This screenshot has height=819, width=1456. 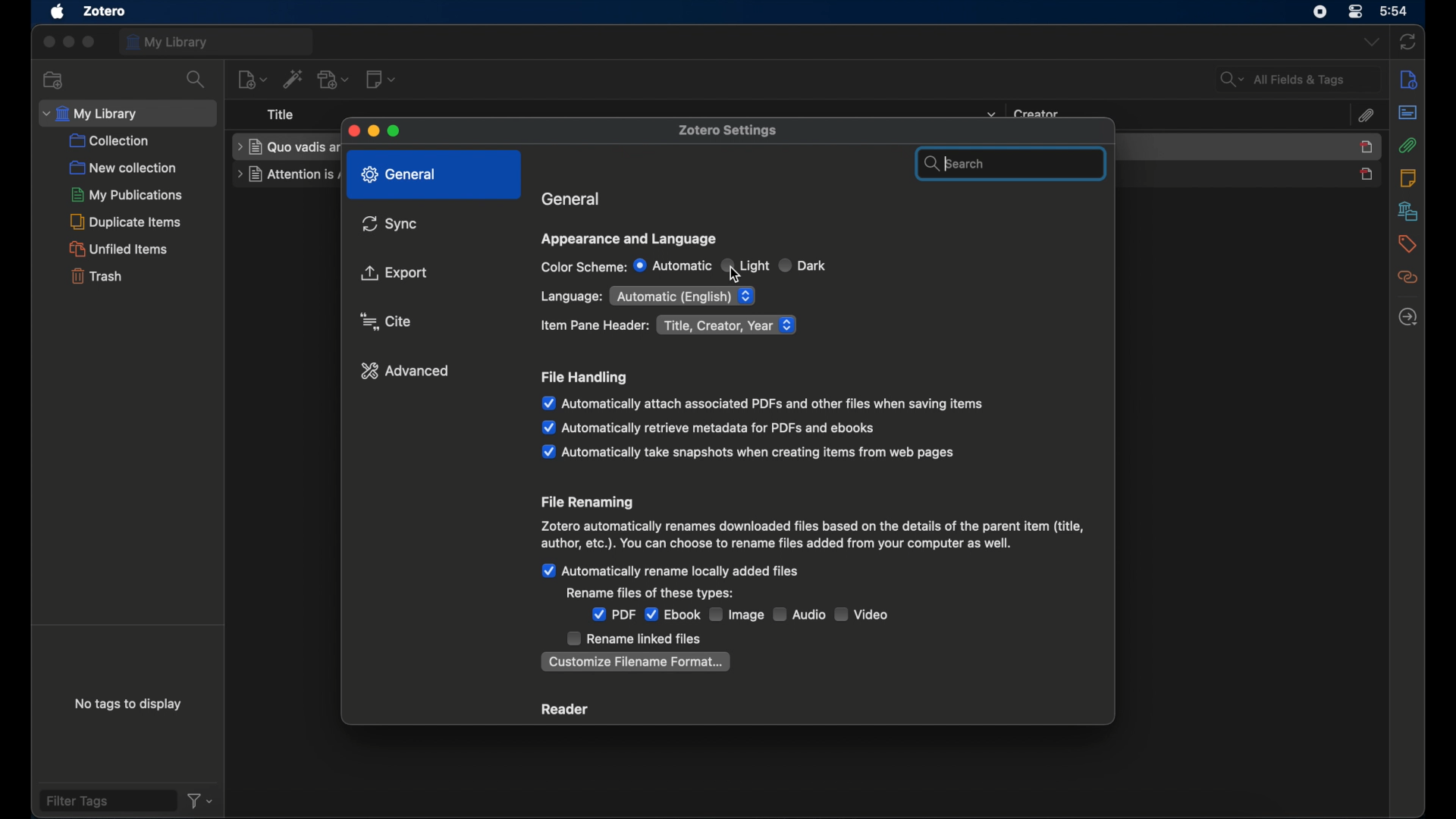 I want to click on automatically attach associated pdfs and other files when saving items, so click(x=761, y=403).